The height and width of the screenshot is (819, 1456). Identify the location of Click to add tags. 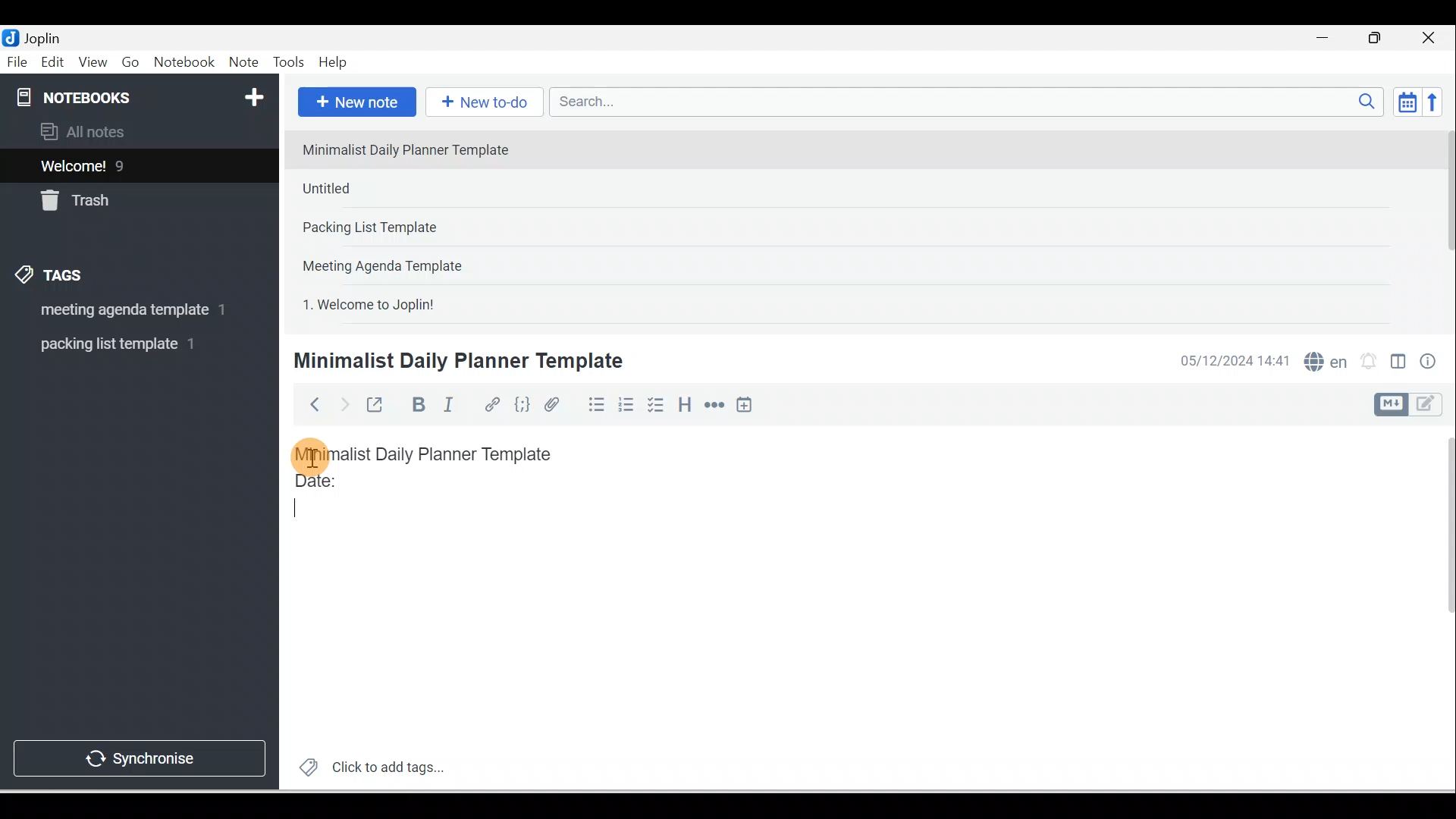
(366, 765).